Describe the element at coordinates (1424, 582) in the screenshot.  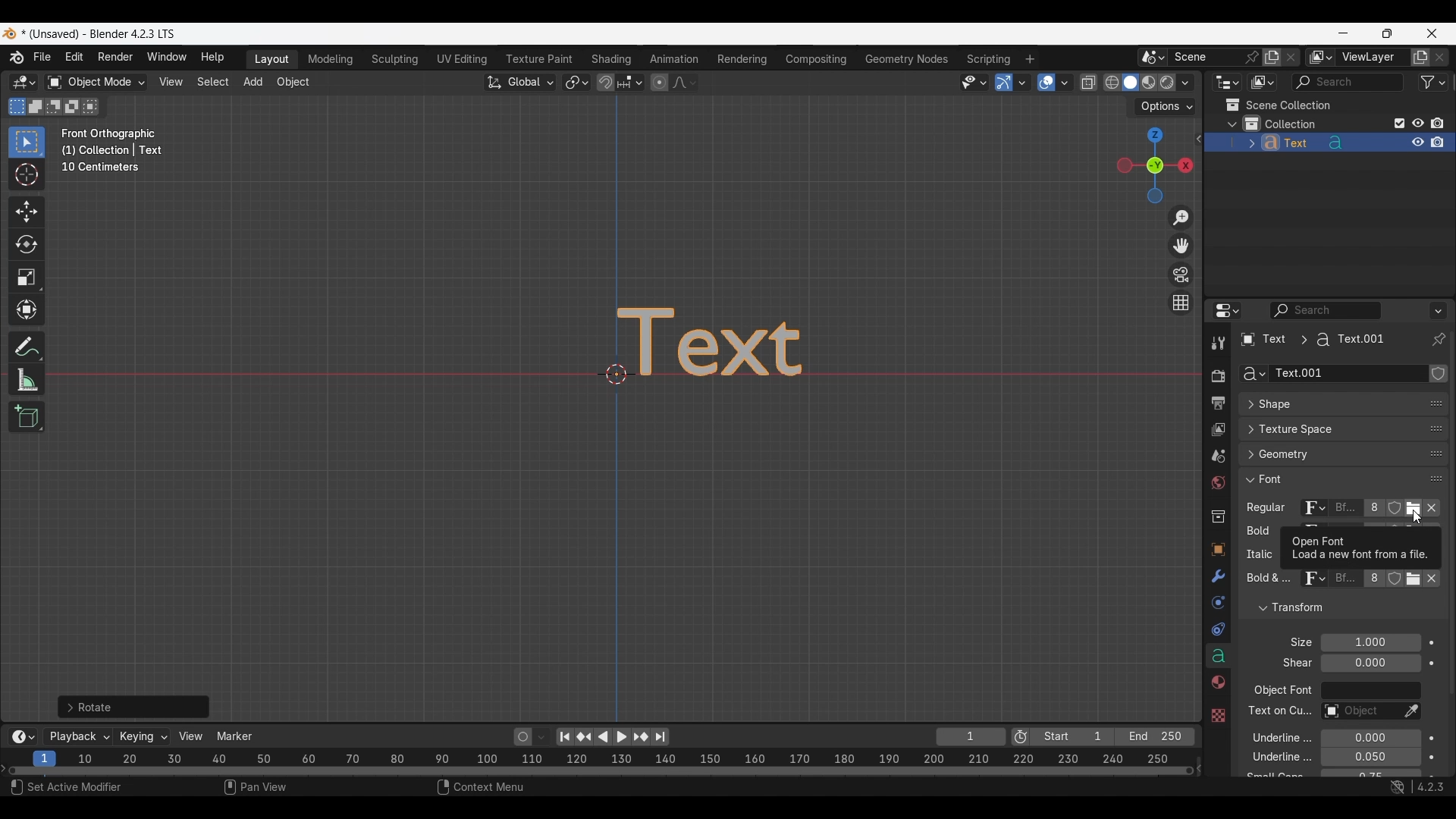
I see `unlink respective attribute` at that location.